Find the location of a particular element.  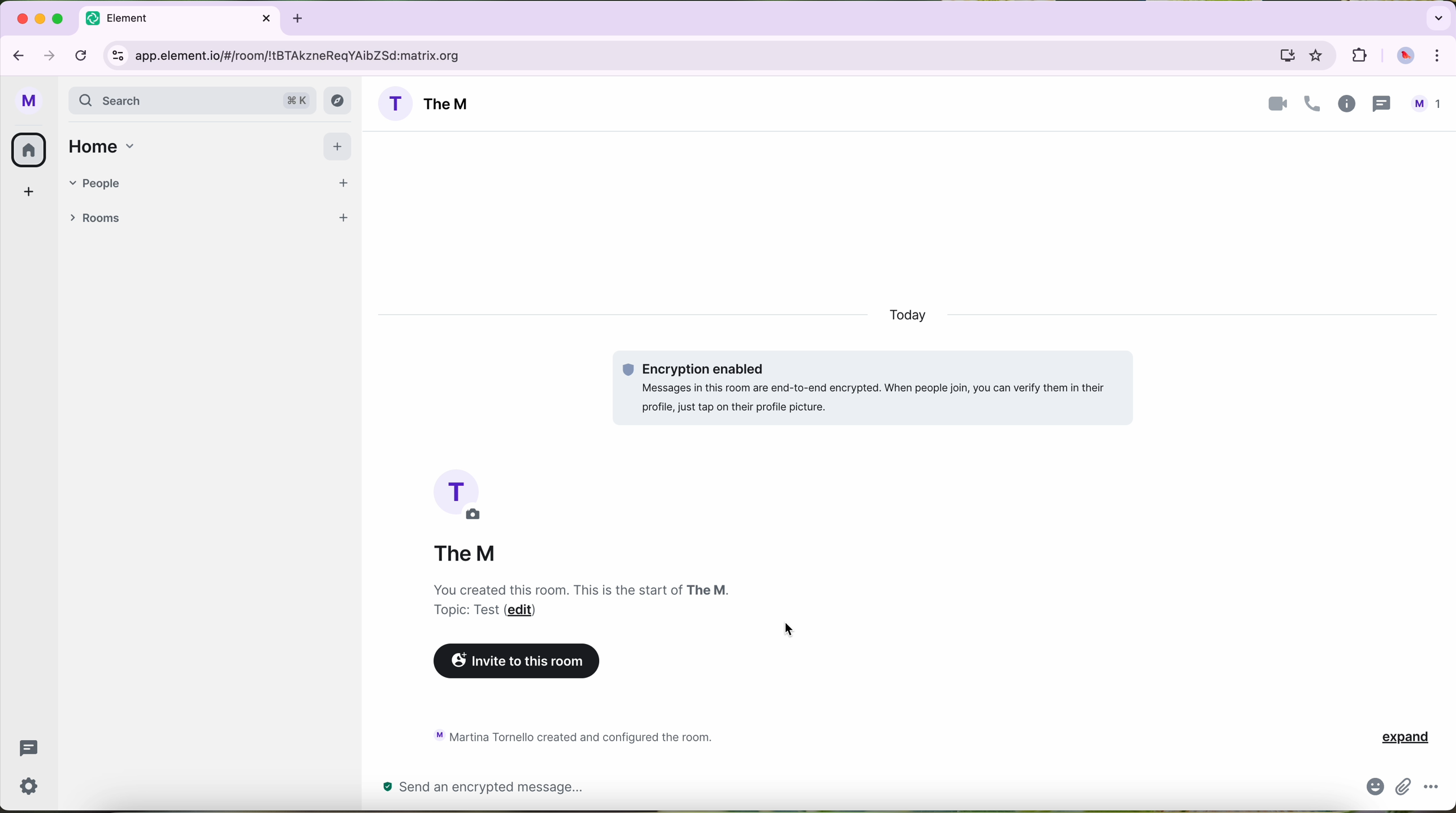

send a message is located at coordinates (852, 792).